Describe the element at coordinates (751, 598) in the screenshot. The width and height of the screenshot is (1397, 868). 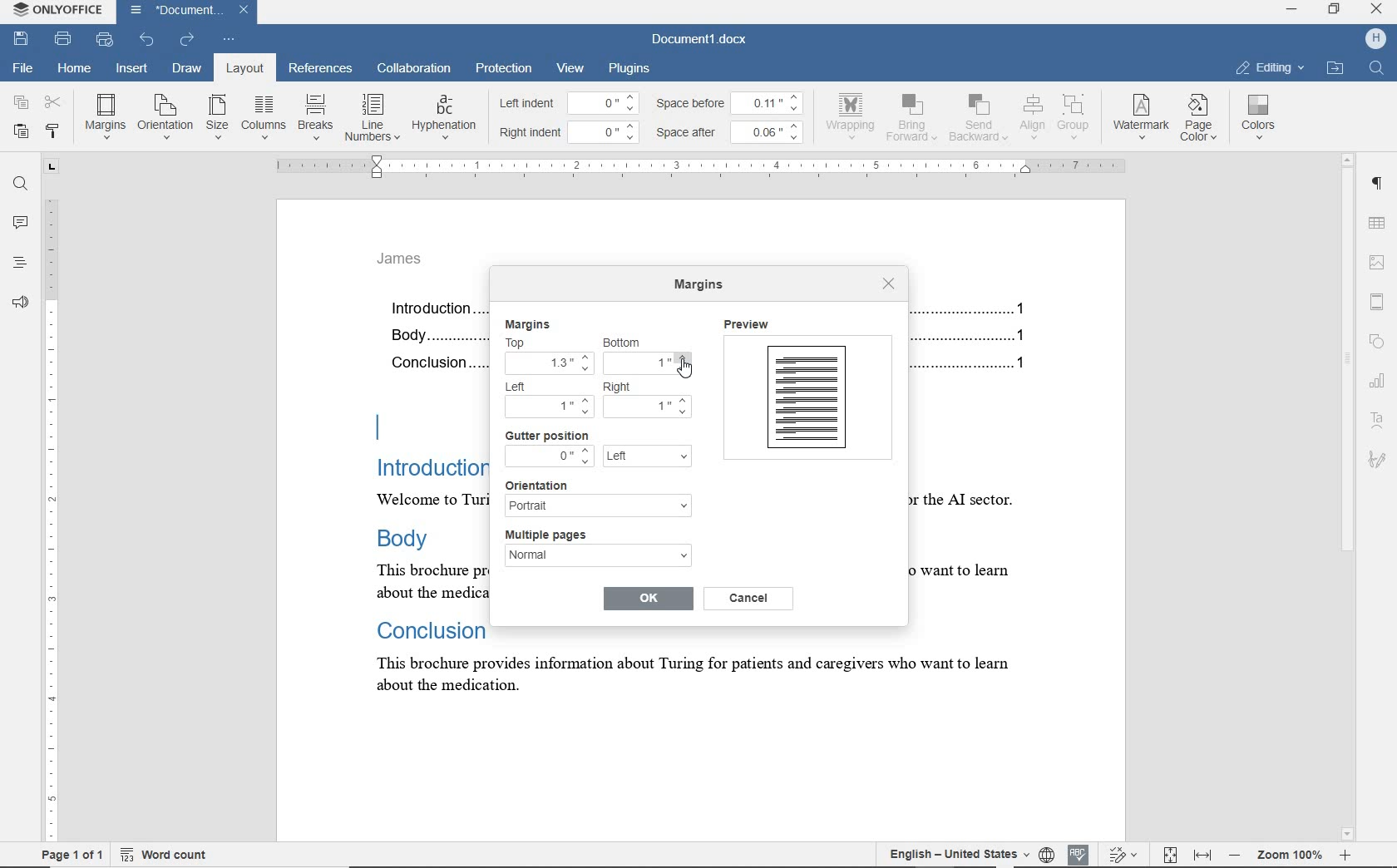
I see `cancel` at that location.